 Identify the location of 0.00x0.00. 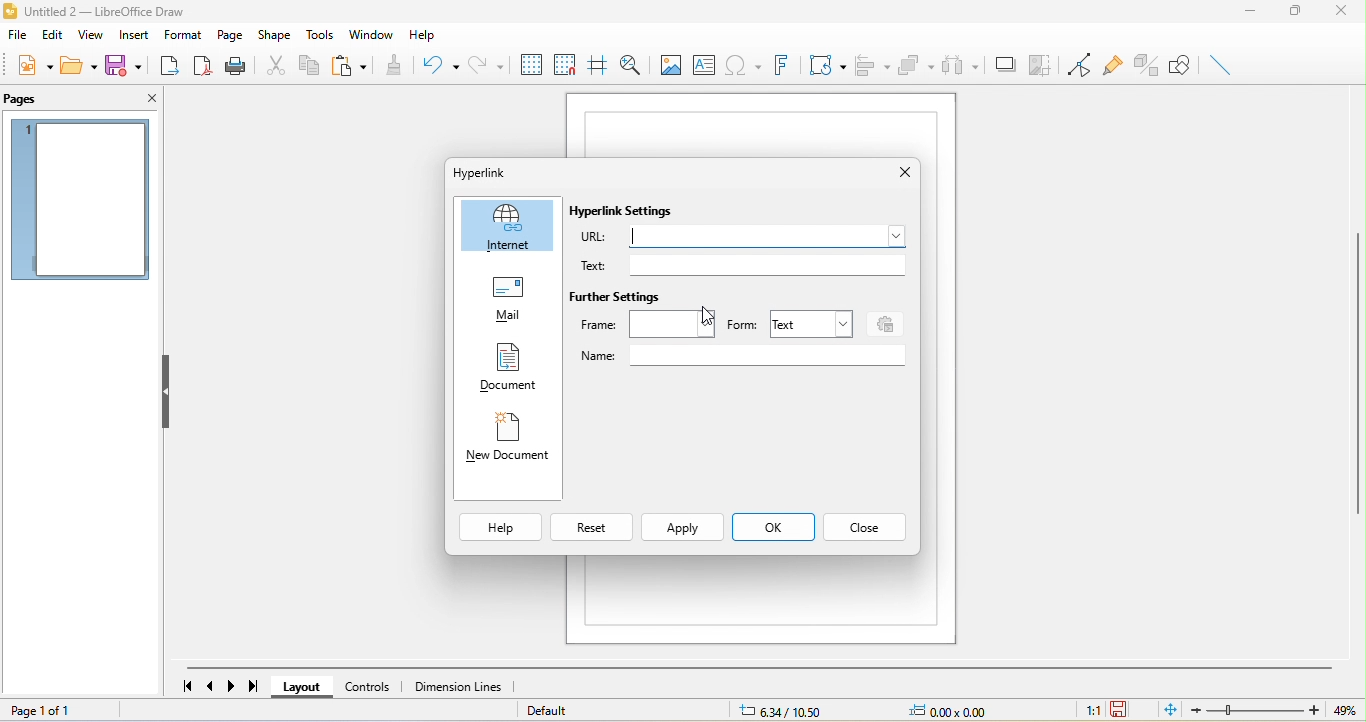
(963, 710).